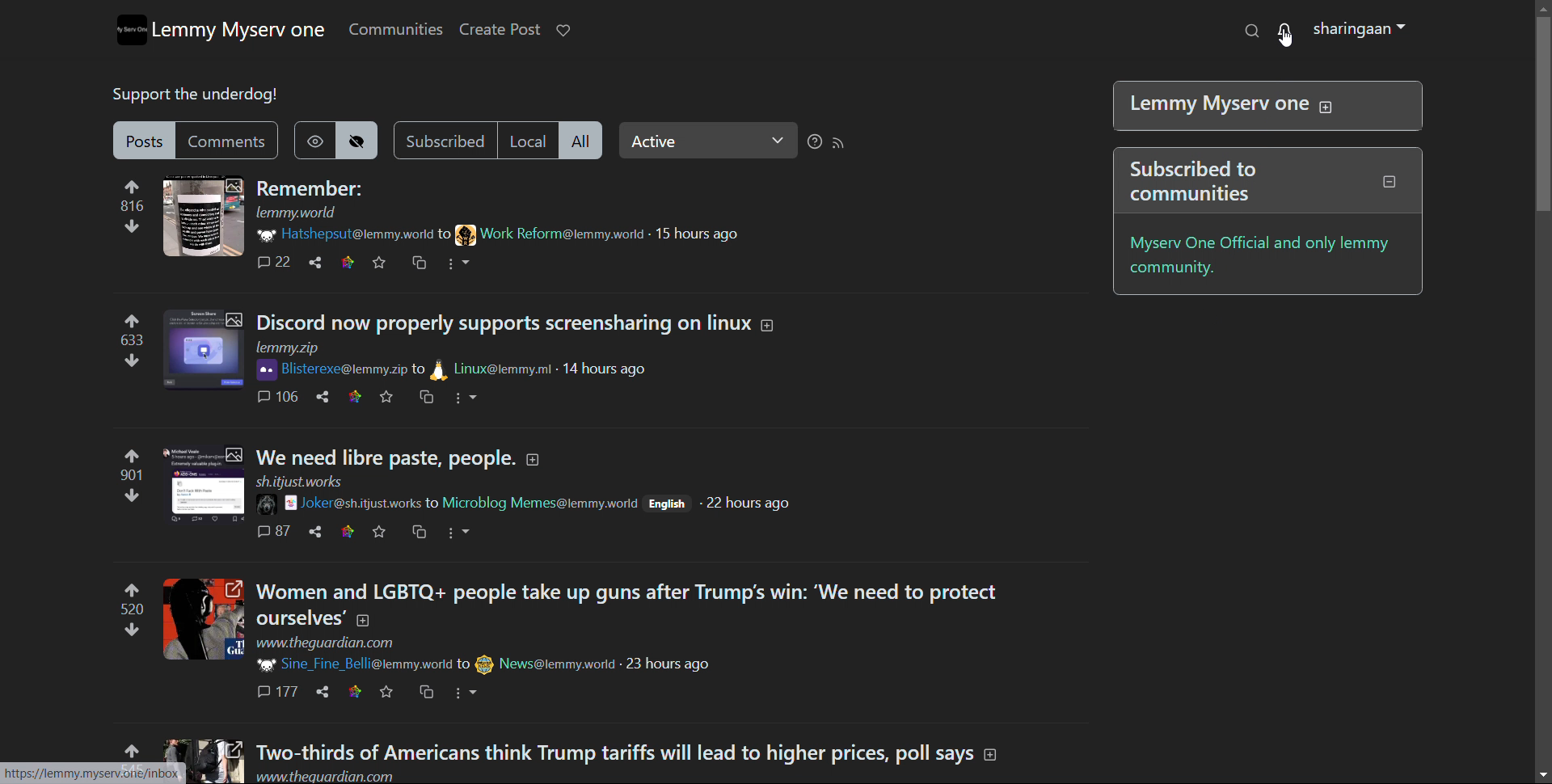  I want to click on url, so click(299, 483).